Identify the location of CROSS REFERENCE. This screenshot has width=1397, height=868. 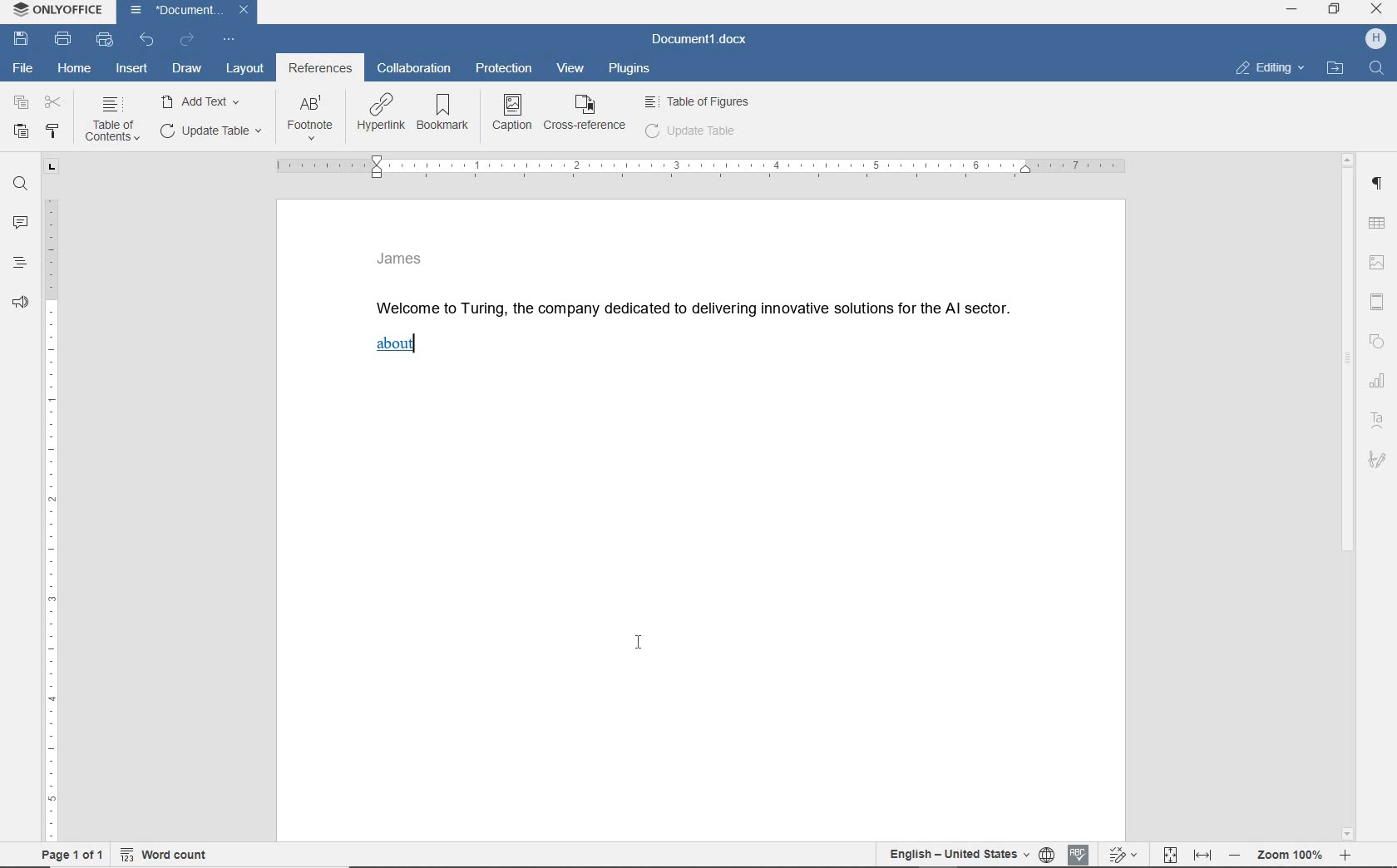
(585, 112).